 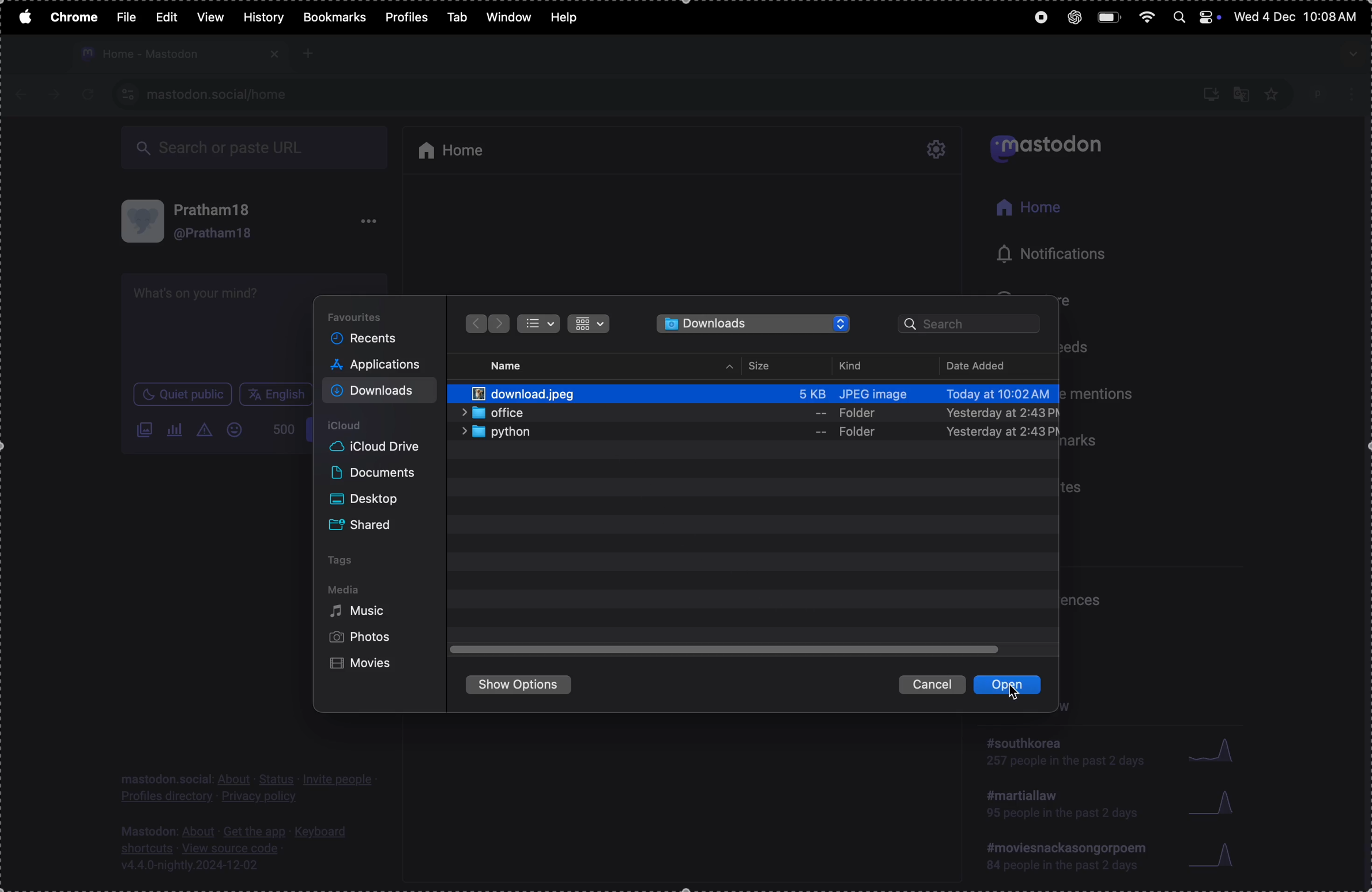 What do you see at coordinates (178, 54) in the screenshot?
I see `mastodon tab` at bounding box center [178, 54].